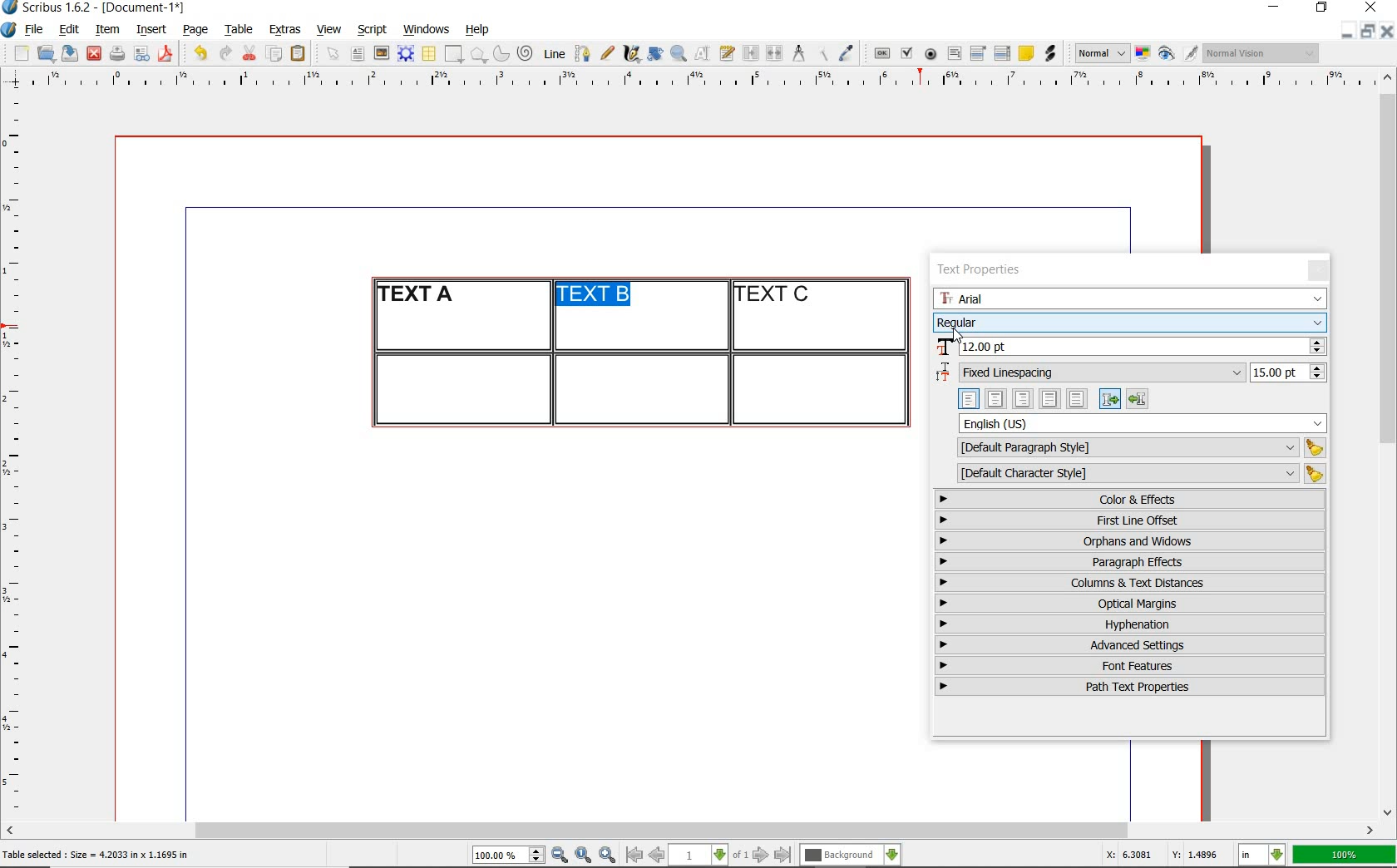 The image size is (1397, 868). What do you see at coordinates (406, 54) in the screenshot?
I see `render frame` at bounding box center [406, 54].